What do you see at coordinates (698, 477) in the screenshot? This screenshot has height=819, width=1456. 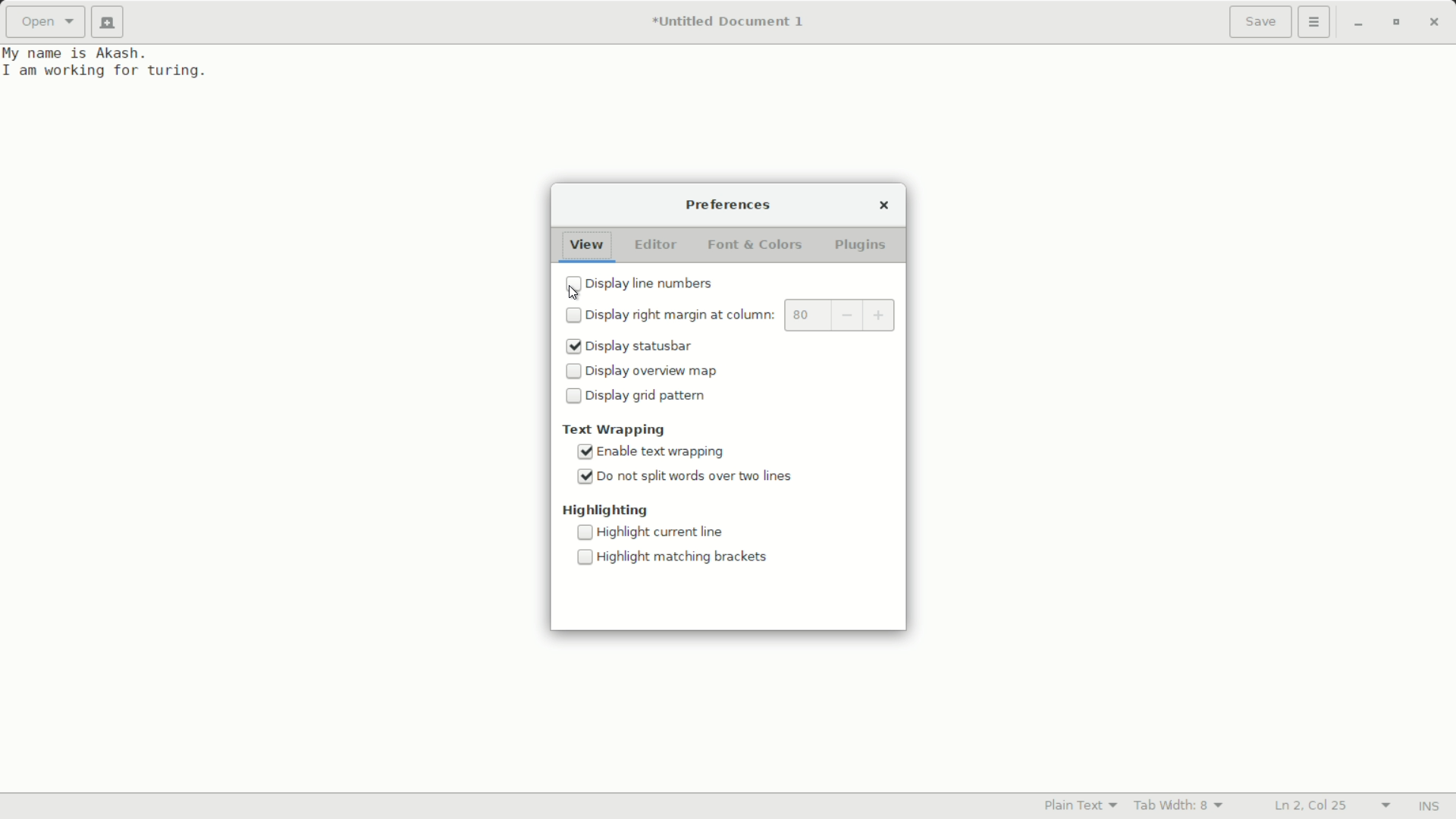 I see `do not split words over two lines` at bounding box center [698, 477].